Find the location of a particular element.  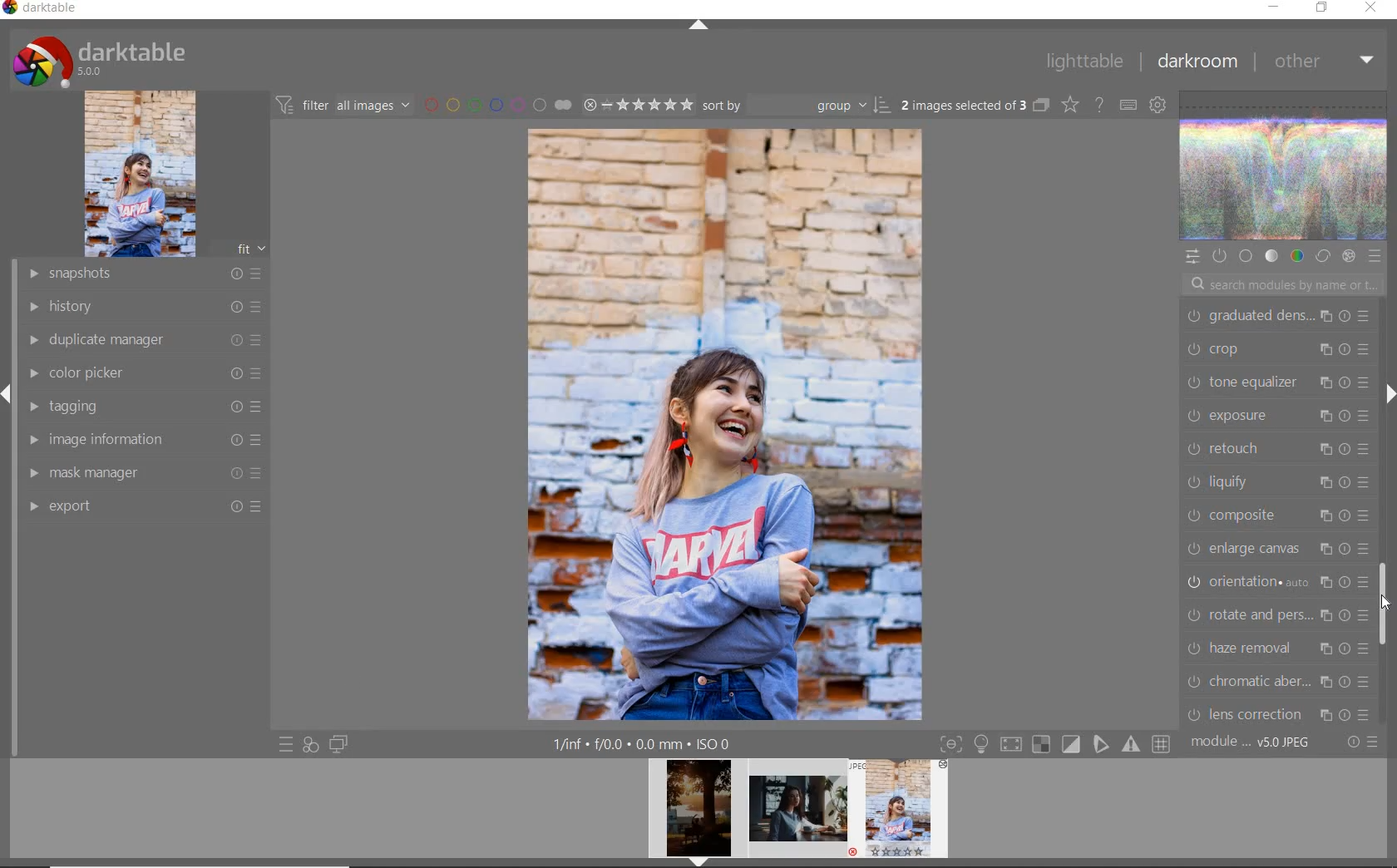

image information is located at coordinates (144, 438).